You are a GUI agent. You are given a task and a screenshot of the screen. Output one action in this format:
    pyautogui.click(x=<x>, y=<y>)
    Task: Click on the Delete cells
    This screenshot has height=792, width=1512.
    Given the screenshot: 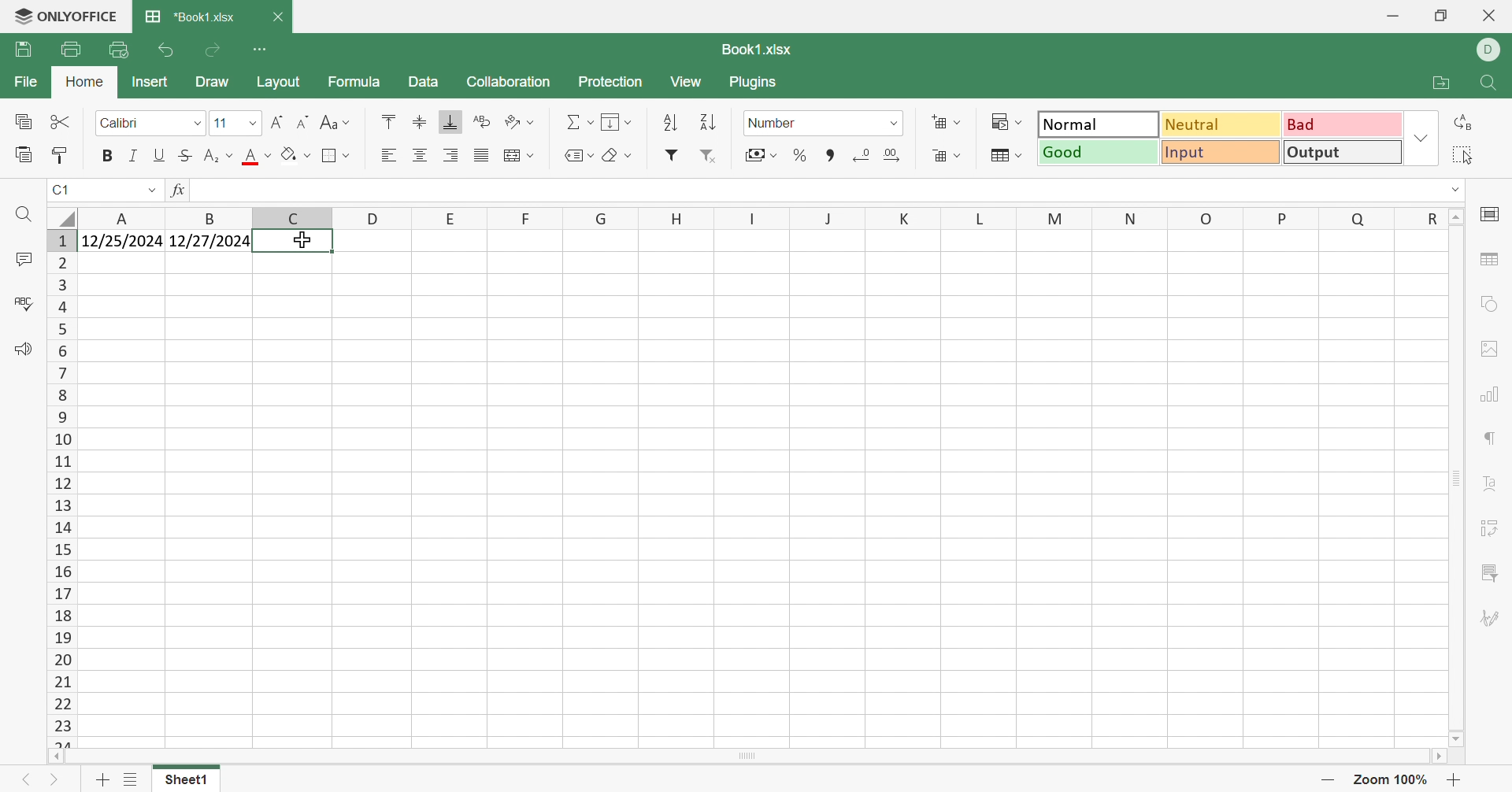 What is the action you would take?
    pyautogui.click(x=949, y=157)
    